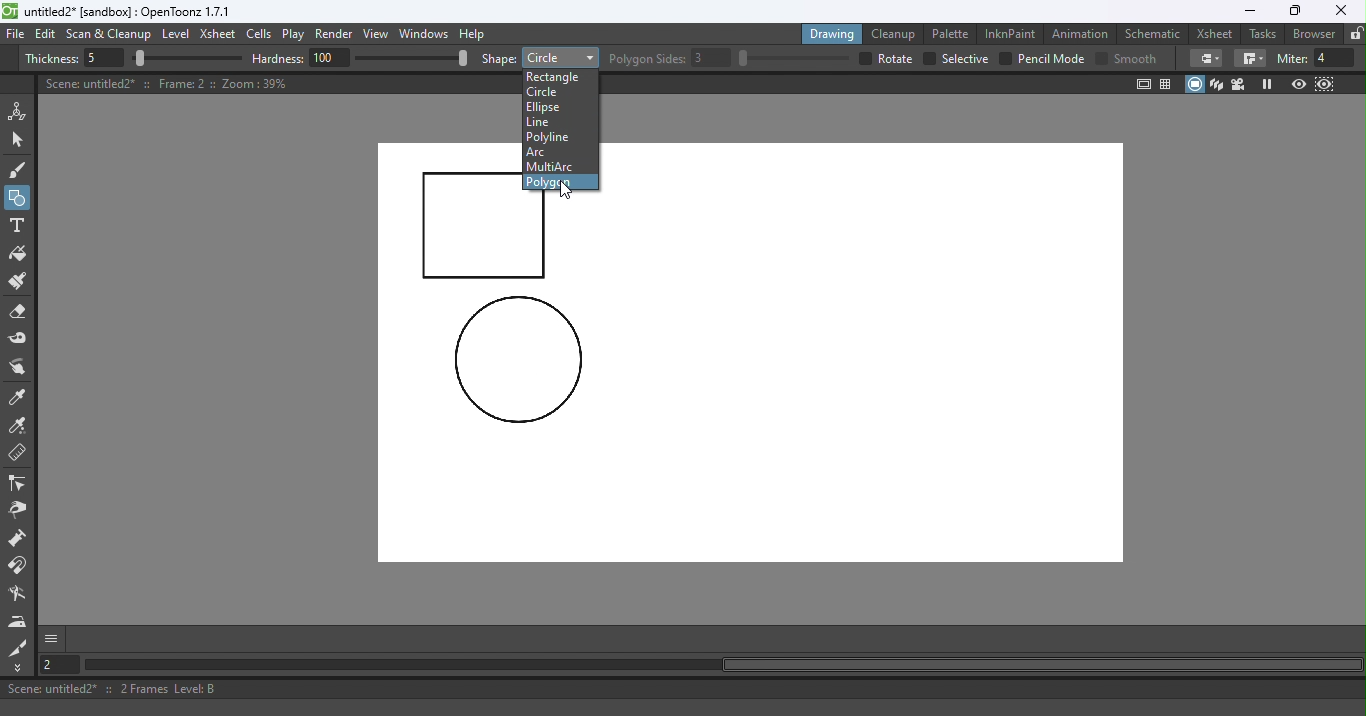 The height and width of the screenshot is (716, 1366). Describe the element at coordinates (411, 57) in the screenshot. I see `slider` at that location.